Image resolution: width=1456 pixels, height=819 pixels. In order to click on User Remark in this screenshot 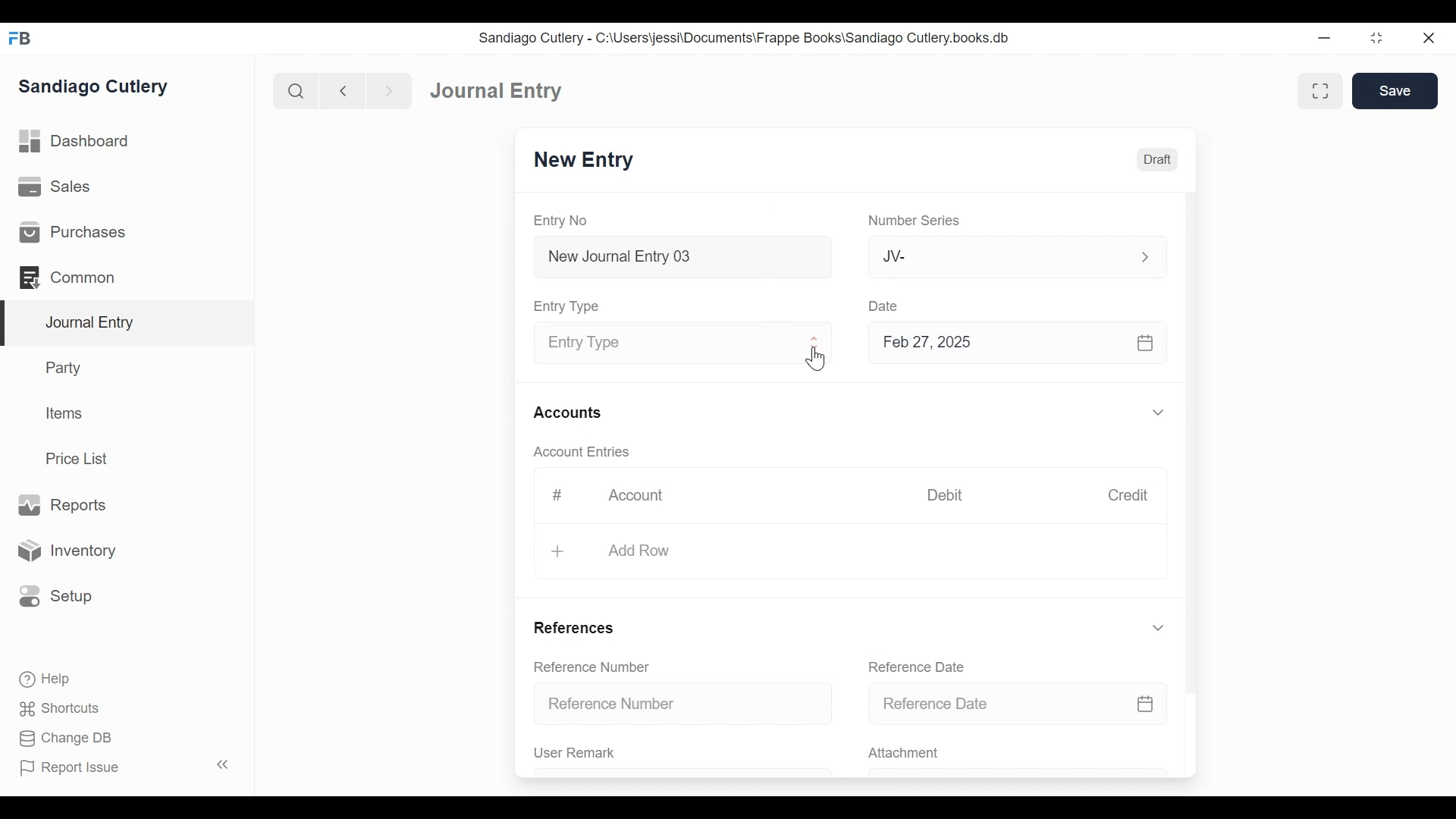, I will do `click(584, 754)`.